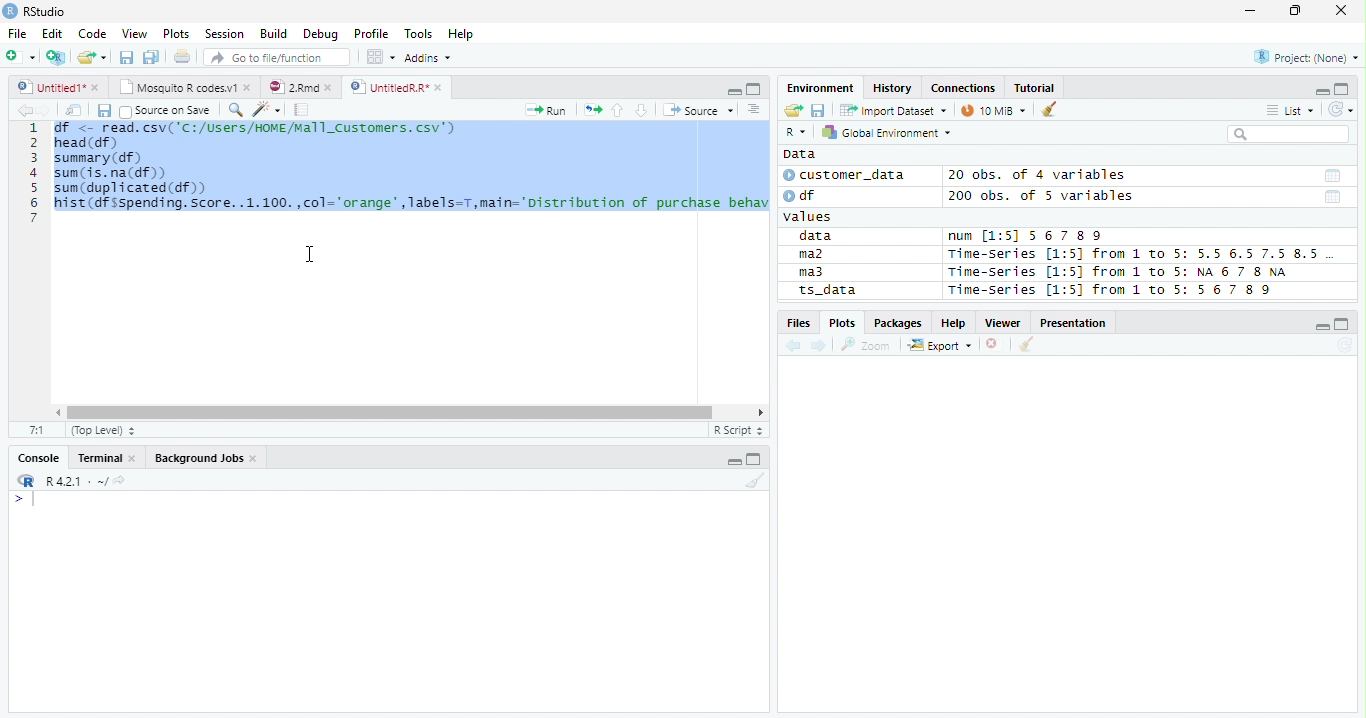  What do you see at coordinates (1076, 323) in the screenshot?
I see `Presentation` at bounding box center [1076, 323].